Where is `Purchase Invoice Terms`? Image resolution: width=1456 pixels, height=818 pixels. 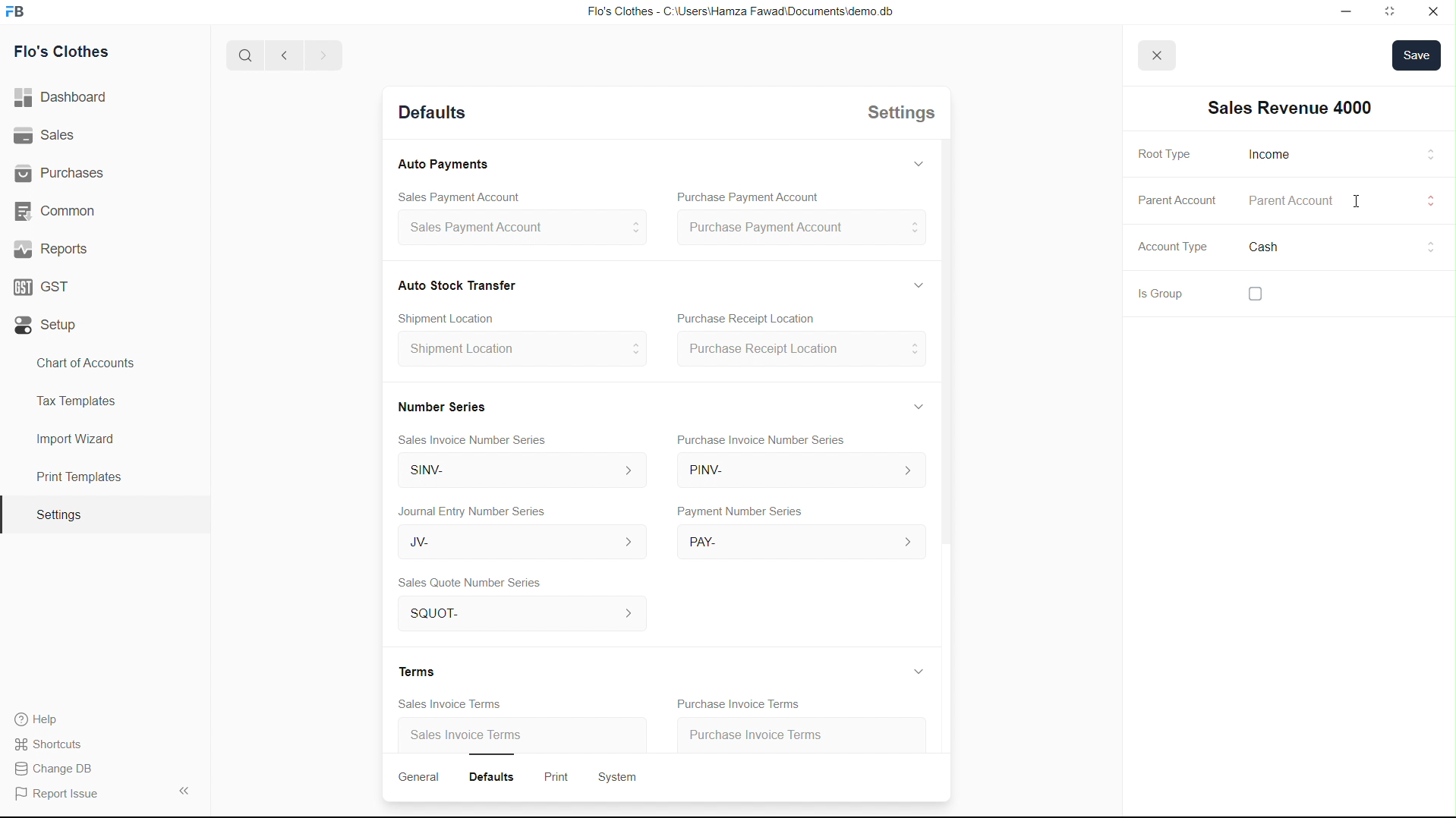 Purchase Invoice Terms is located at coordinates (771, 731).